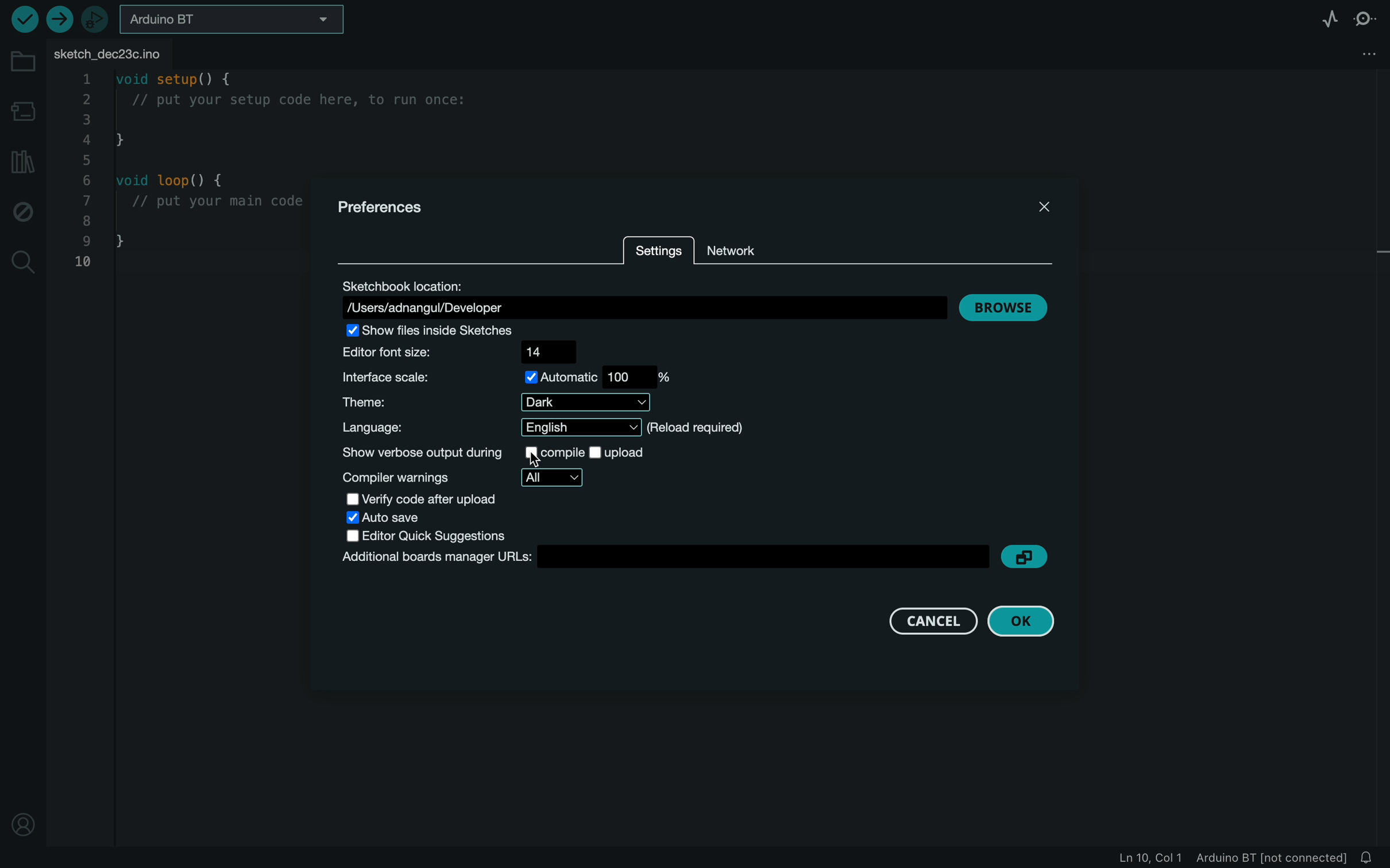 Image resolution: width=1390 pixels, height=868 pixels. I want to click on show file , so click(431, 331).